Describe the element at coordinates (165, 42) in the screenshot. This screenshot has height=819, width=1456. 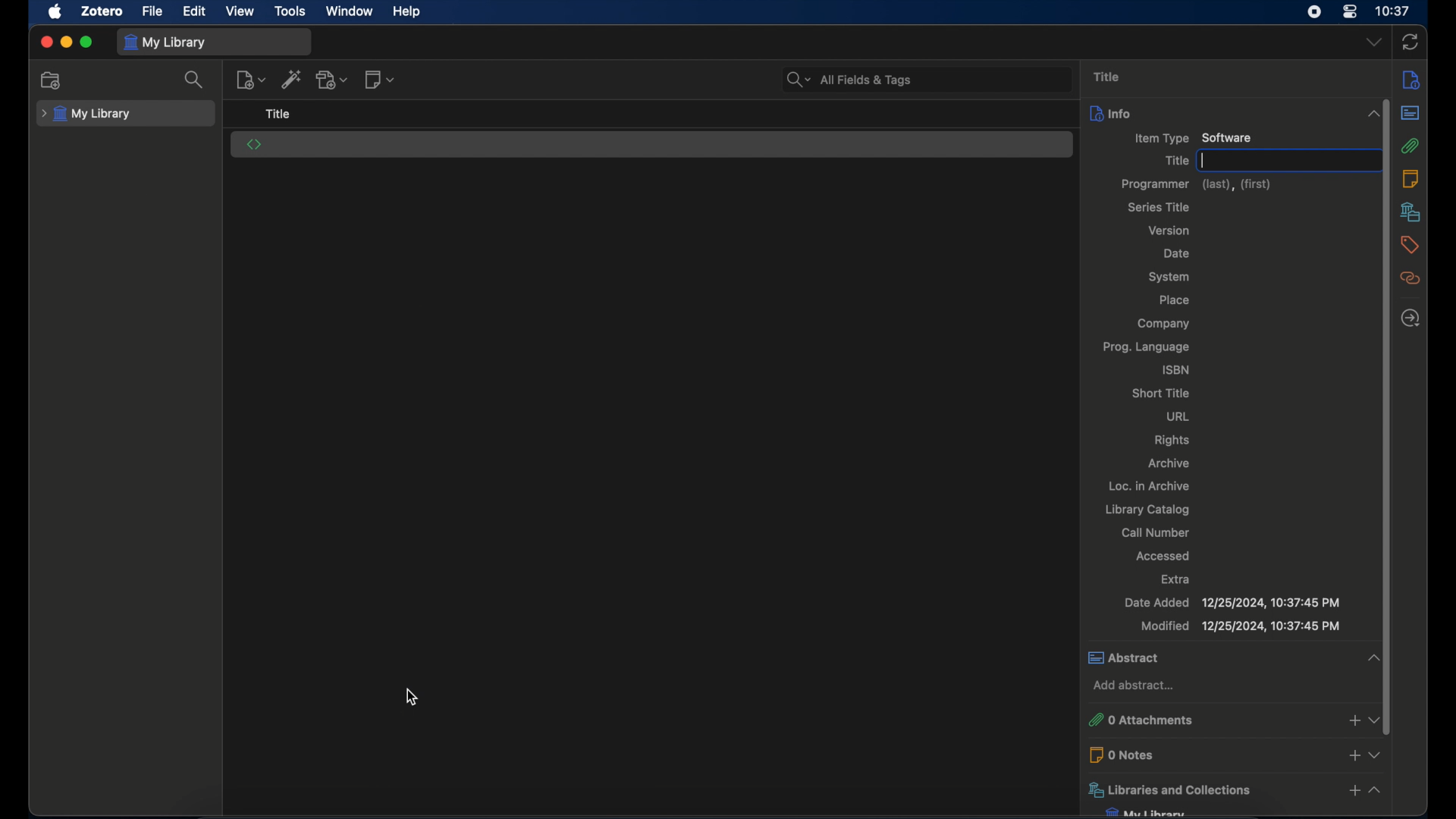
I see `my library` at that location.